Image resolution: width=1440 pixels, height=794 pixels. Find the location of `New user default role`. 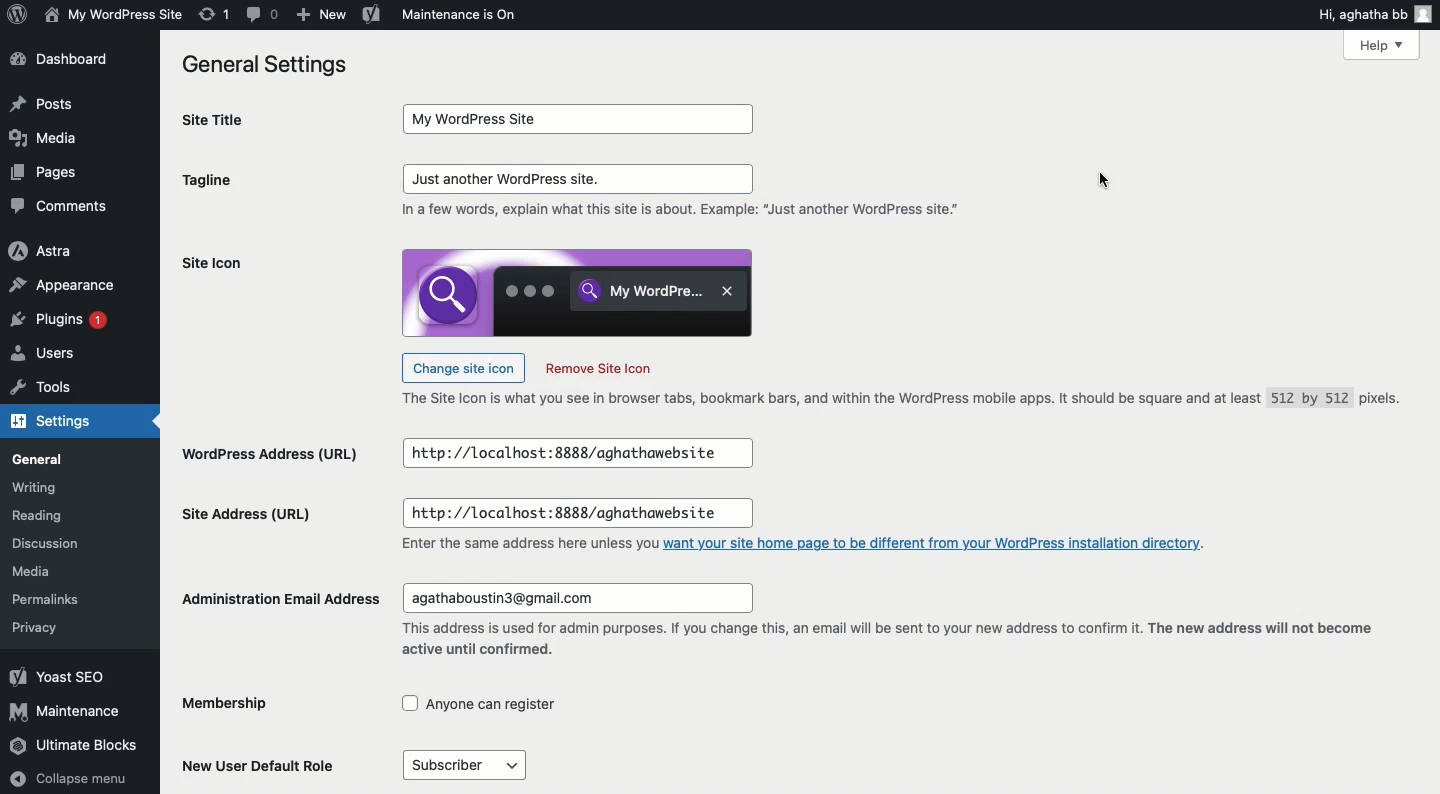

New user default role is located at coordinates (264, 764).